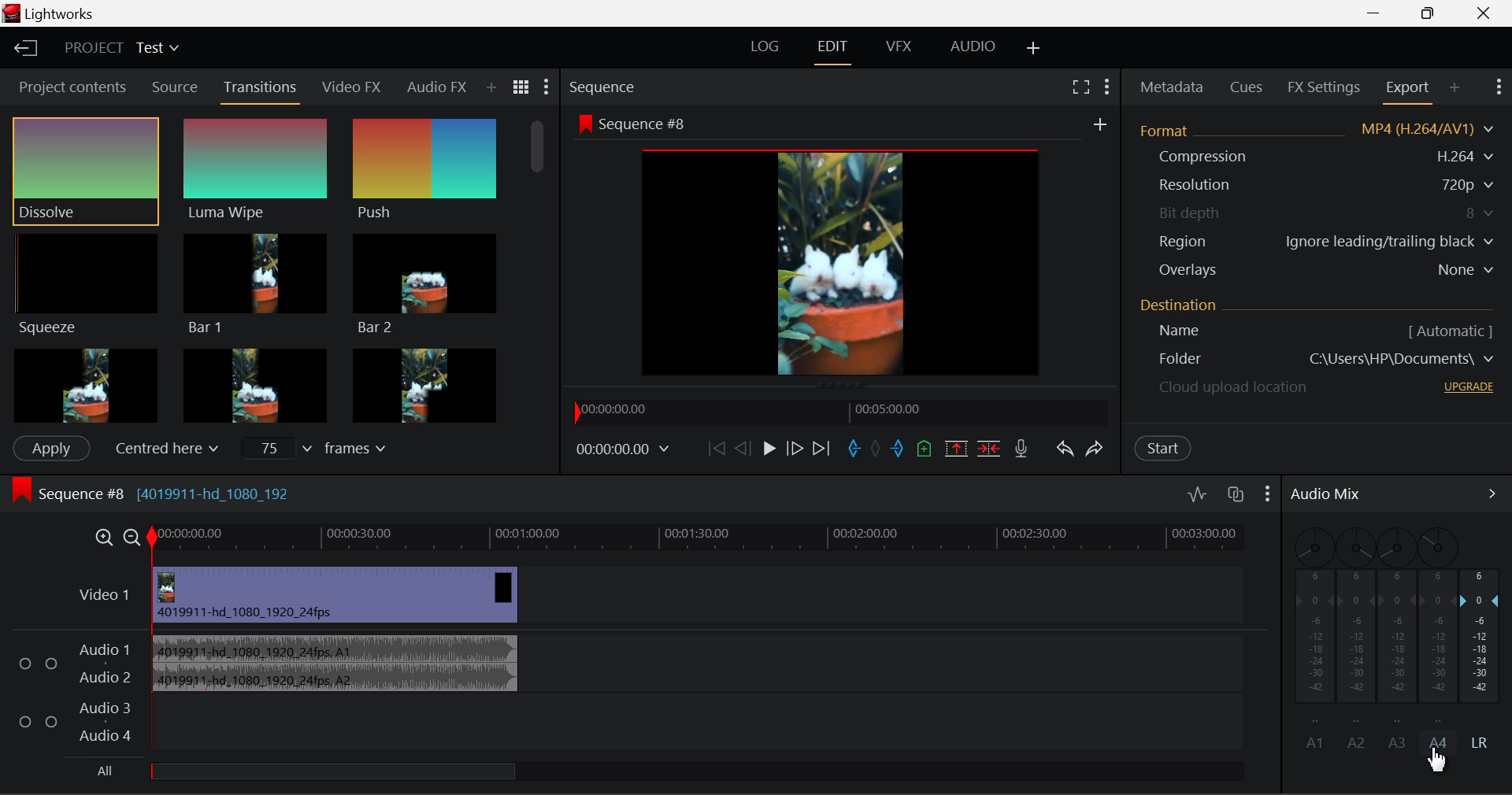  I want to click on Full Screen, so click(1080, 87).